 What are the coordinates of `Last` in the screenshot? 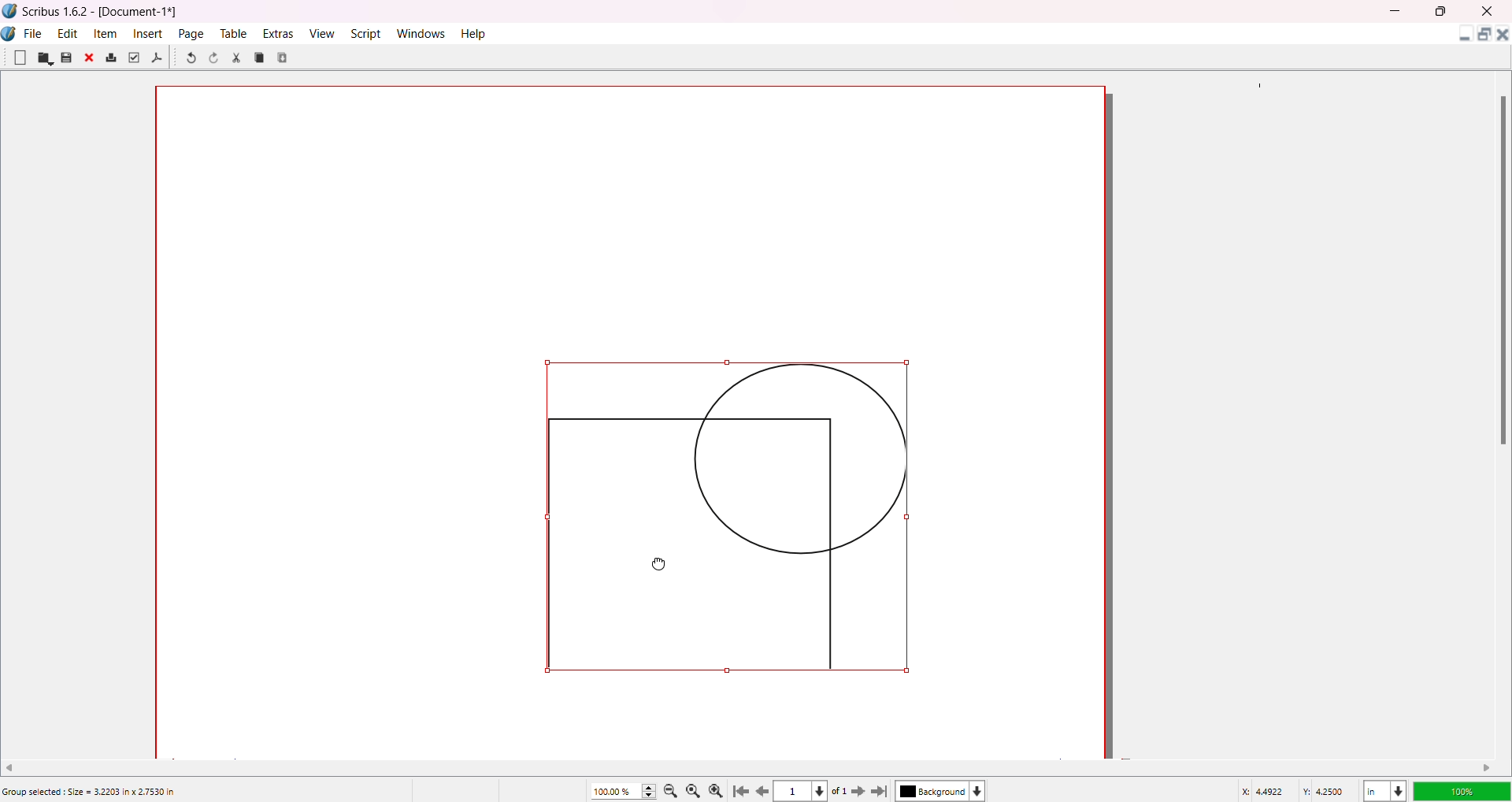 It's located at (881, 790).